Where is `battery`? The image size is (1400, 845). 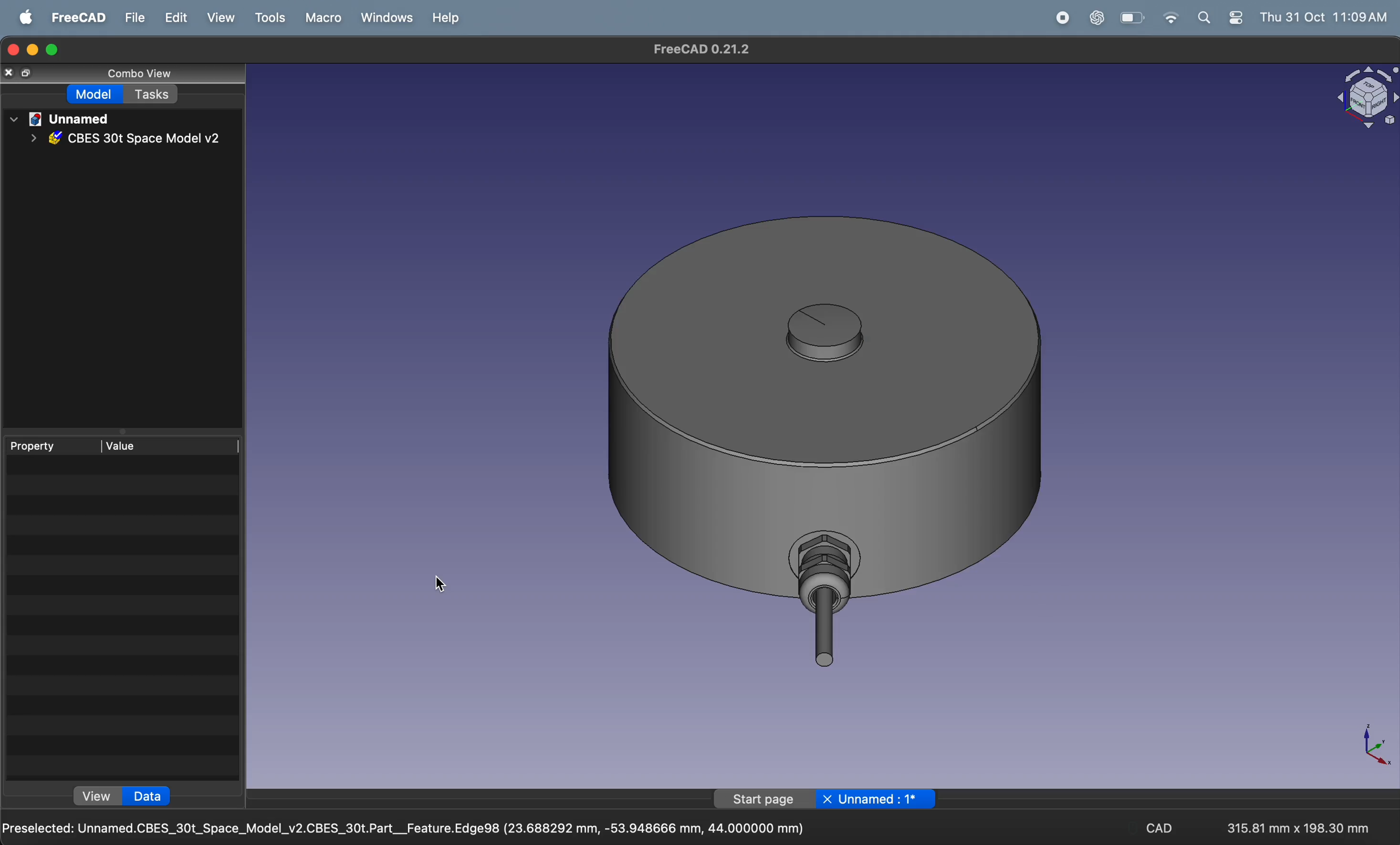 battery is located at coordinates (1134, 17).